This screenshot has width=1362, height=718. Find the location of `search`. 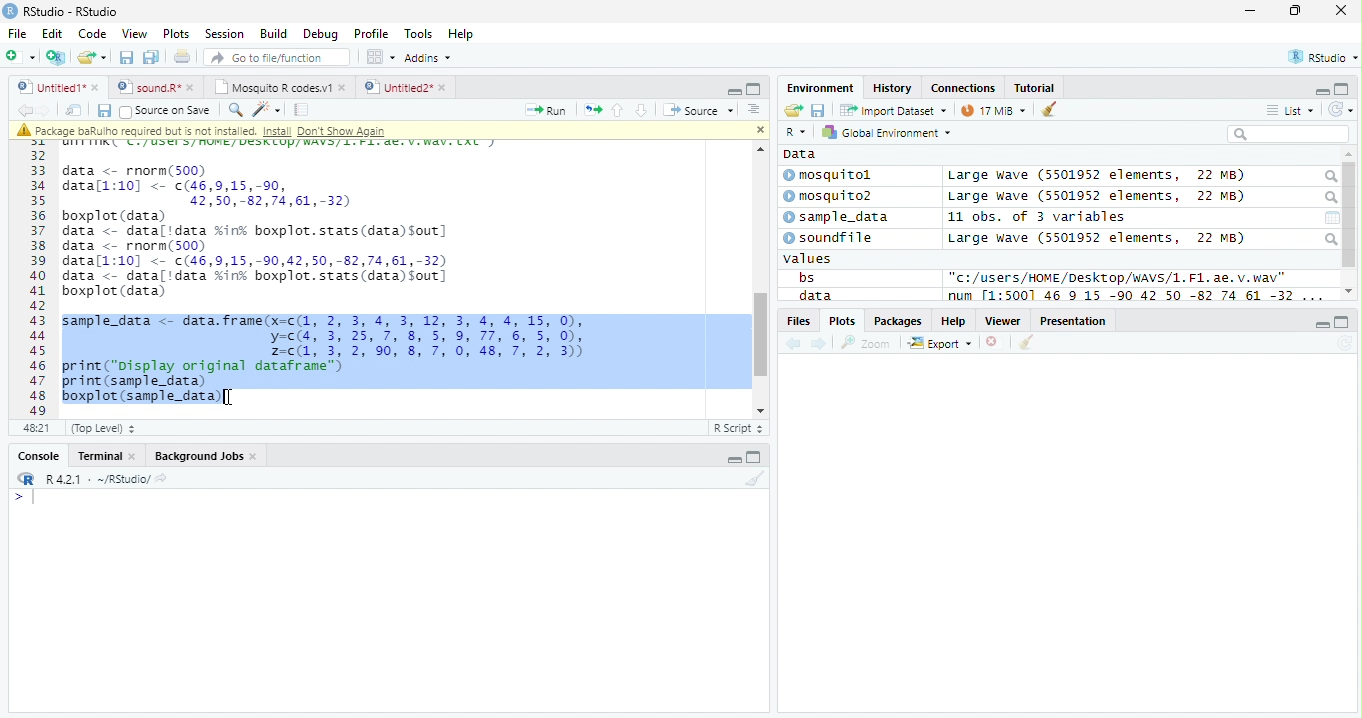

search is located at coordinates (1330, 239).